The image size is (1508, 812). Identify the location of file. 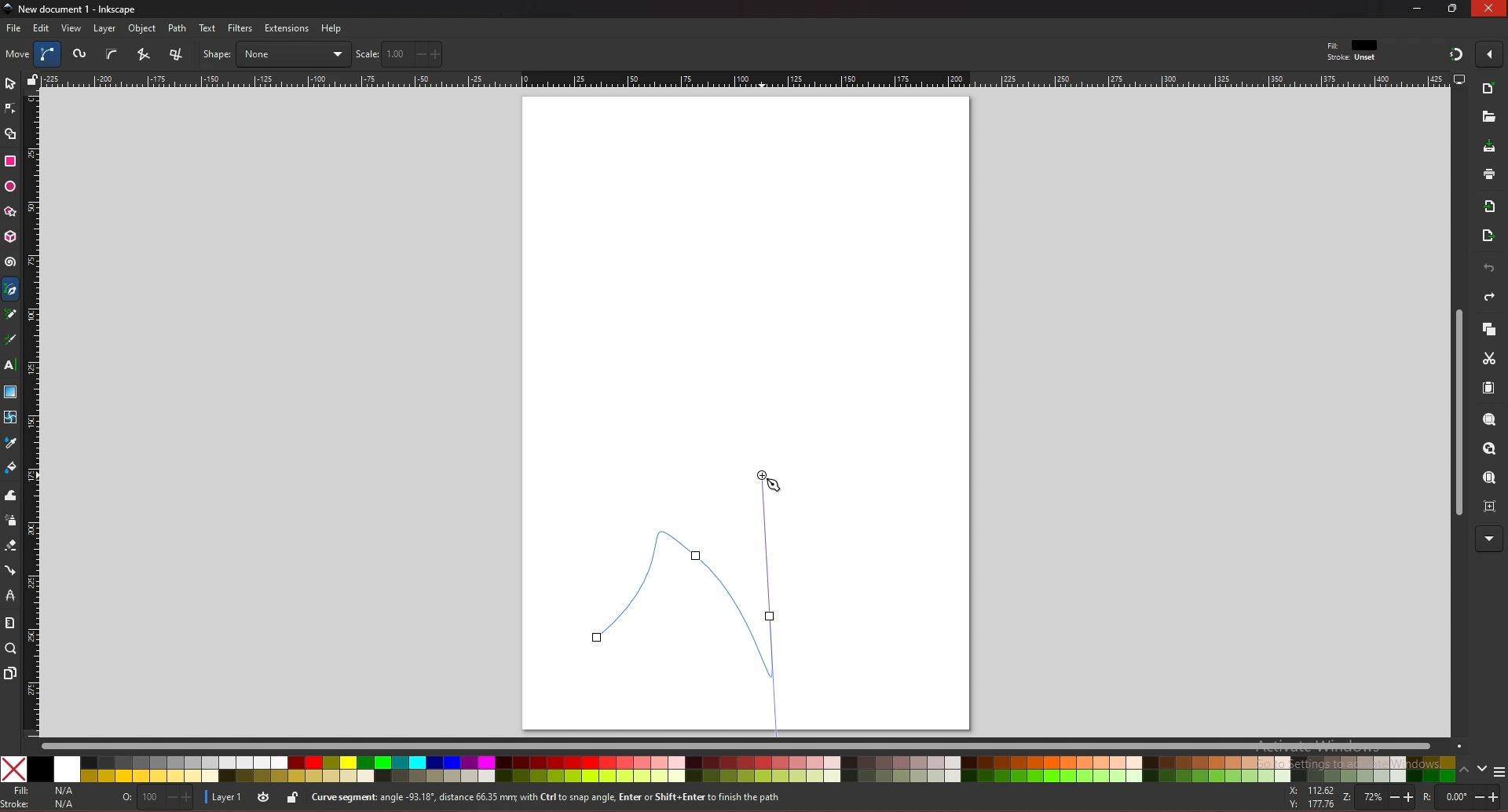
(13, 28).